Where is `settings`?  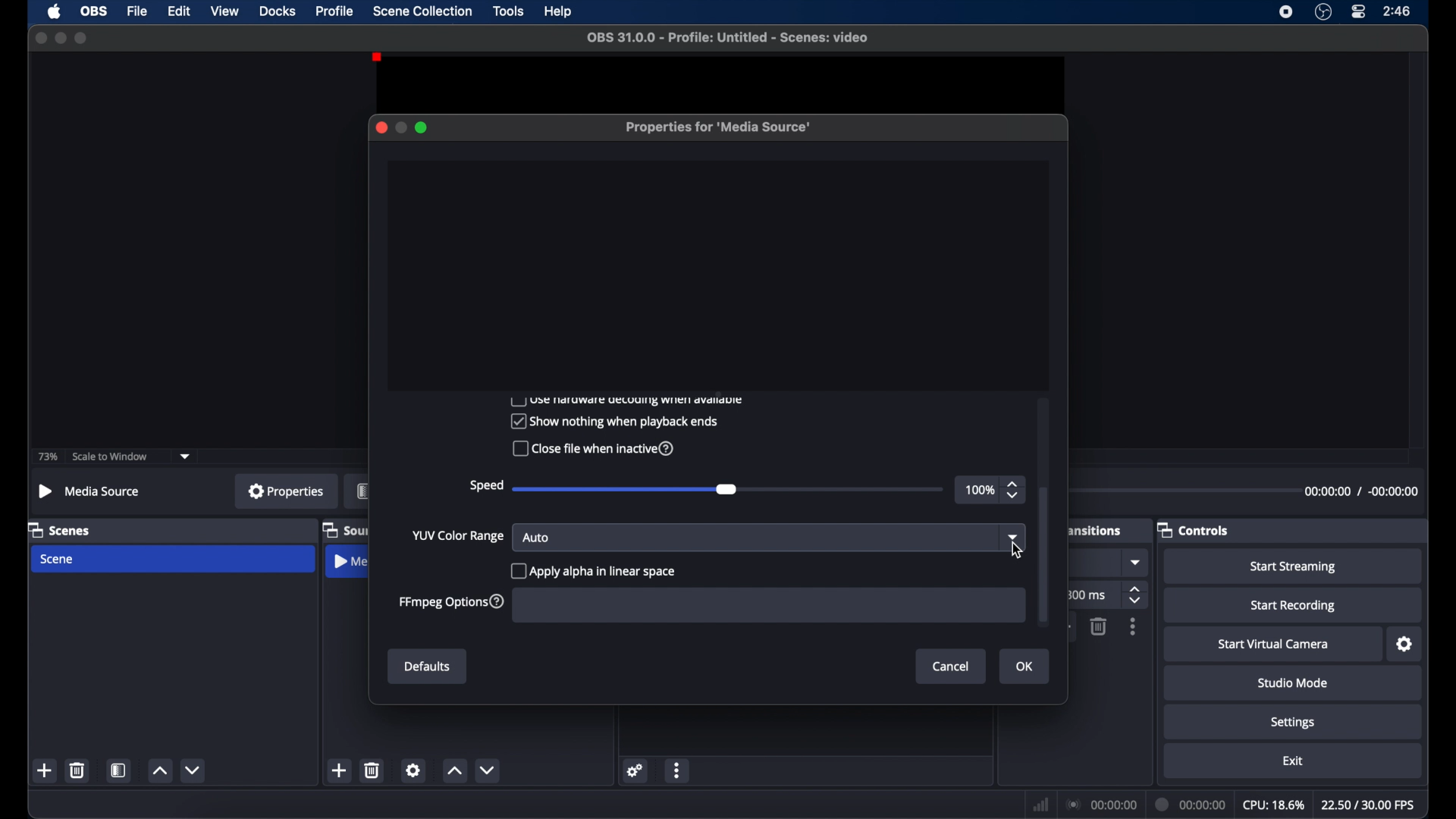 settings is located at coordinates (635, 770).